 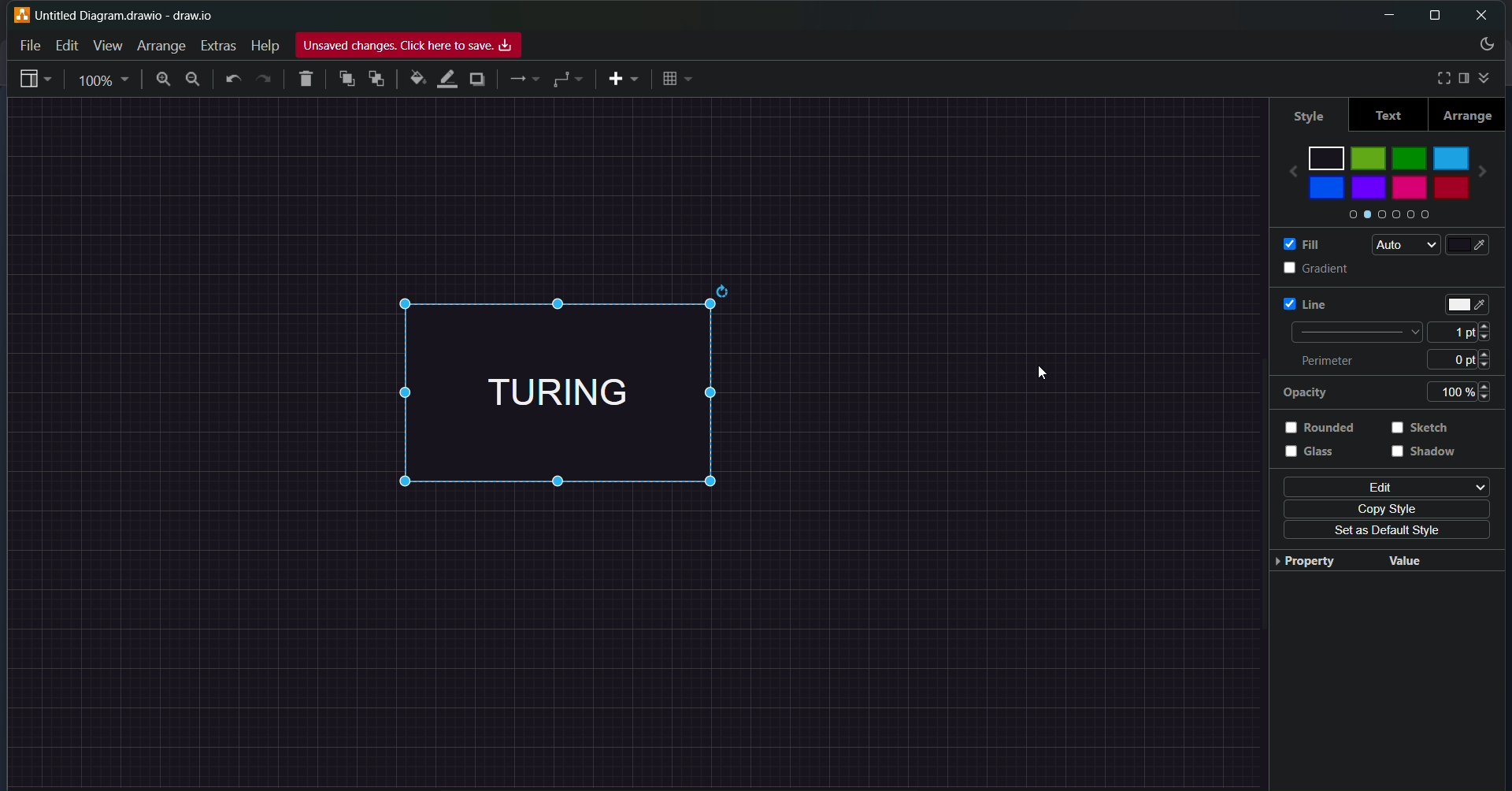 I want to click on perimeter, so click(x=1336, y=362).